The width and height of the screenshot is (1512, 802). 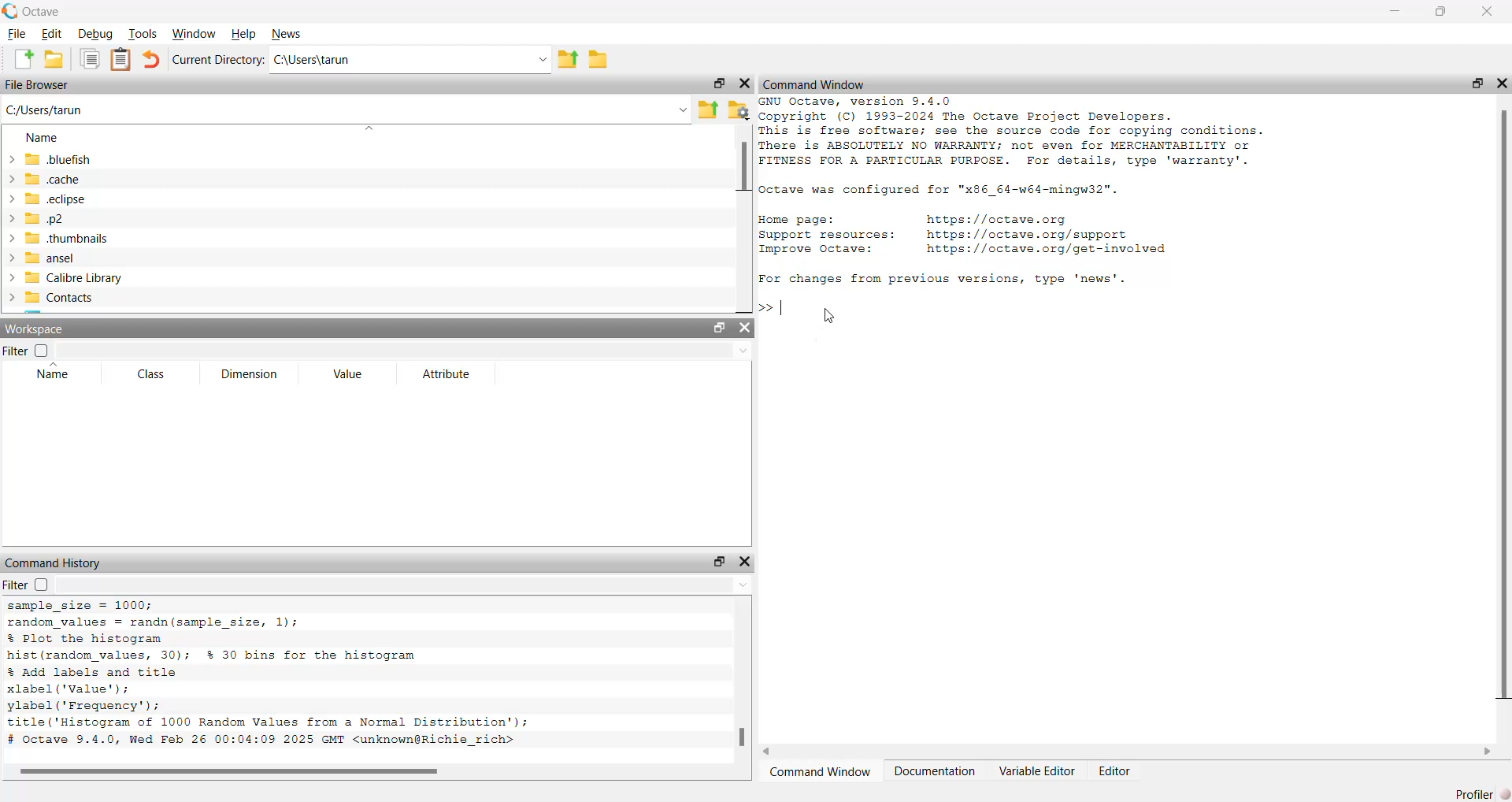 What do you see at coordinates (539, 61) in the screenshot?
I see `dropdown` at bounding box center [539, 61].